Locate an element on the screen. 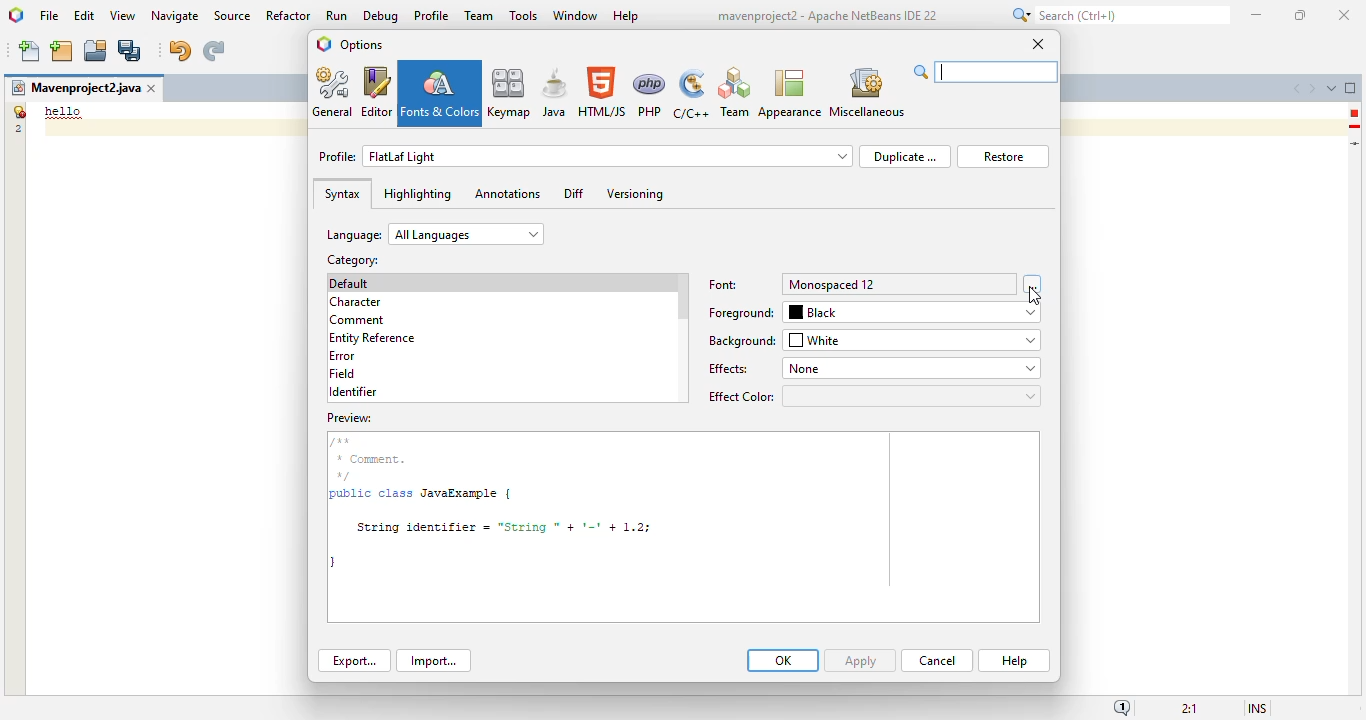  character is located at coordinates (355, 302).